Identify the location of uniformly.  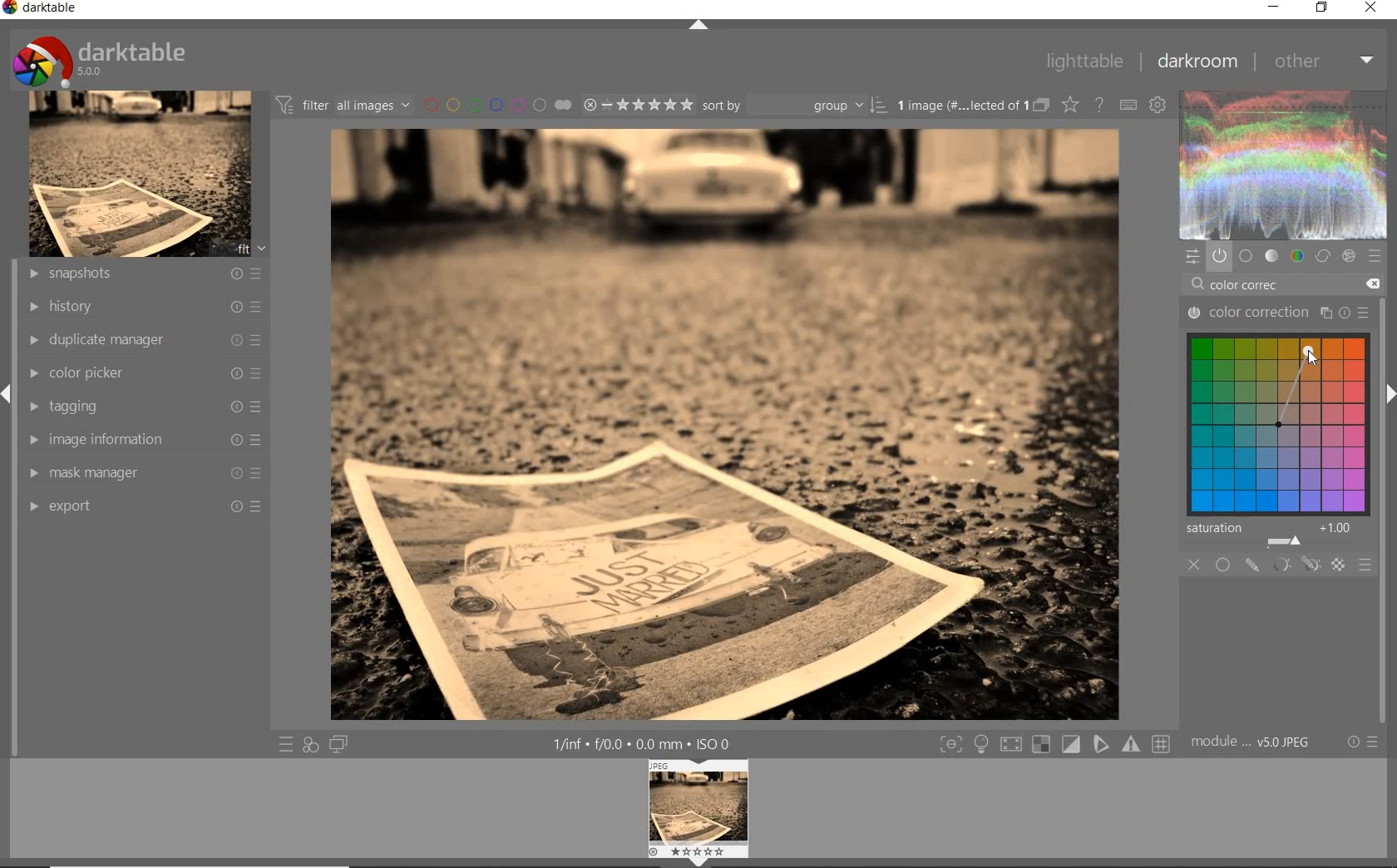
(1222, 565).